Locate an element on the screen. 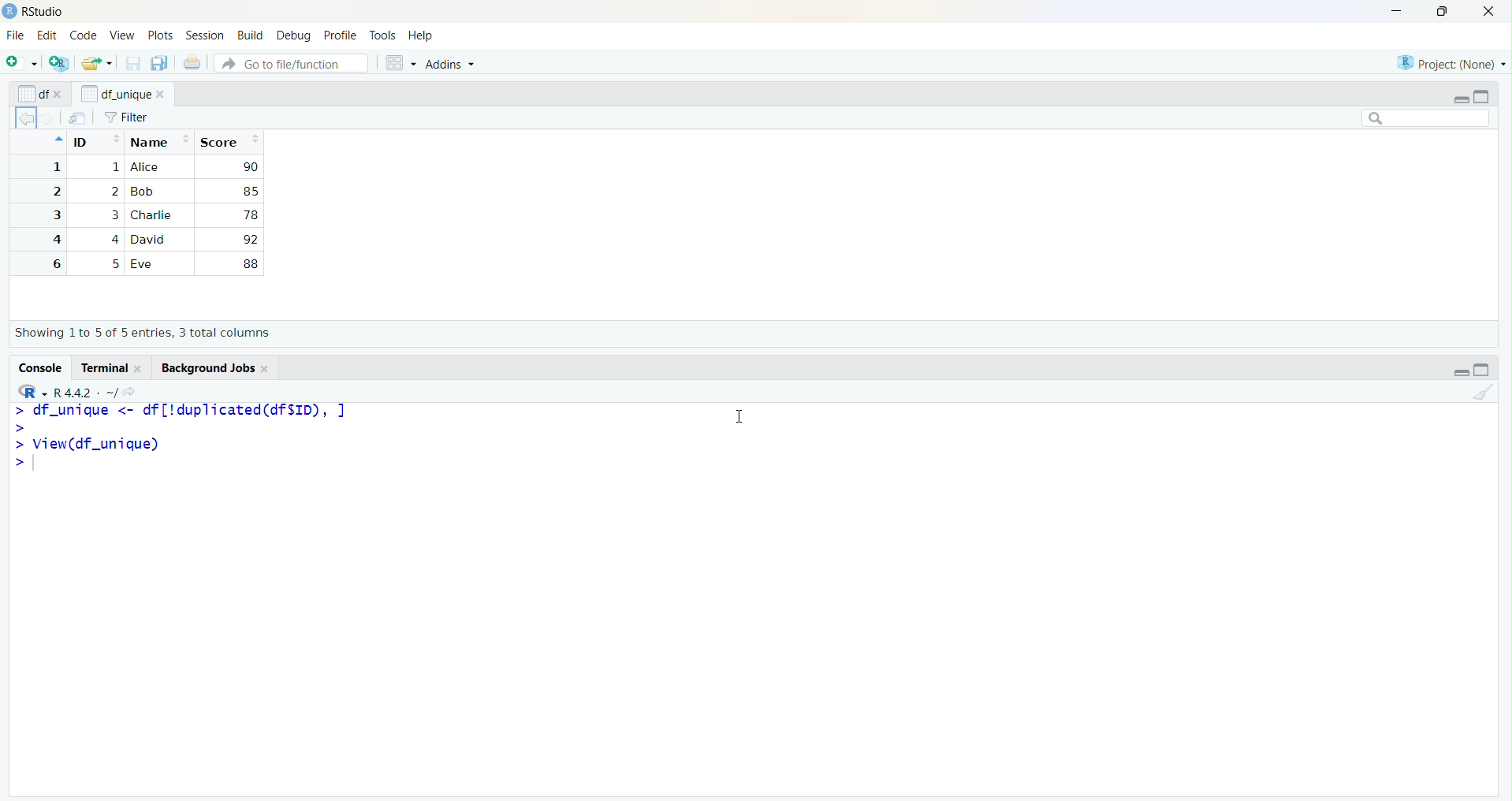 This screenshot has width=1512, height=801. Alice is located at coordinates (147, 167).